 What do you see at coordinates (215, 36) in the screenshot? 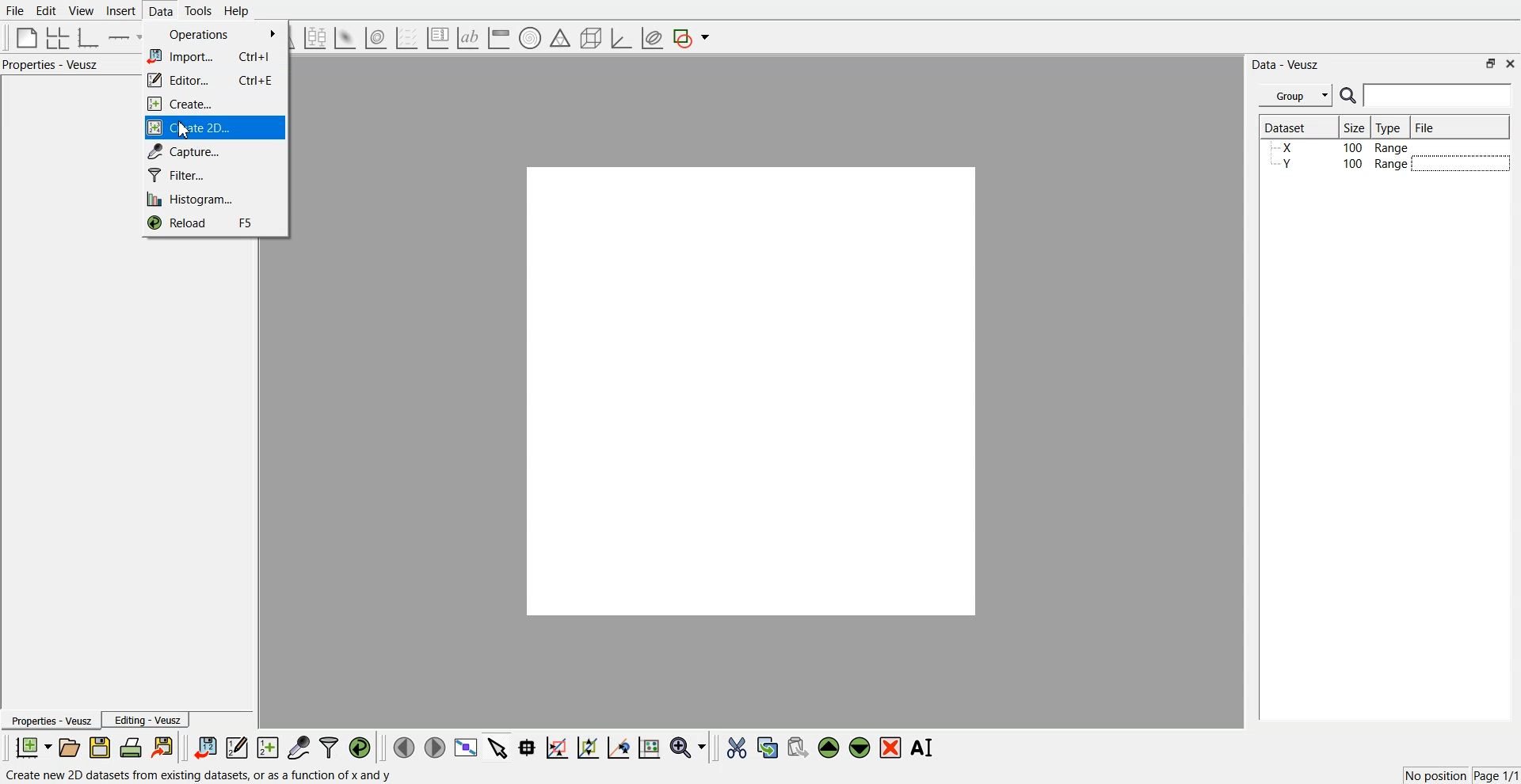
I see `Operations` at bounding box center [215, 36].